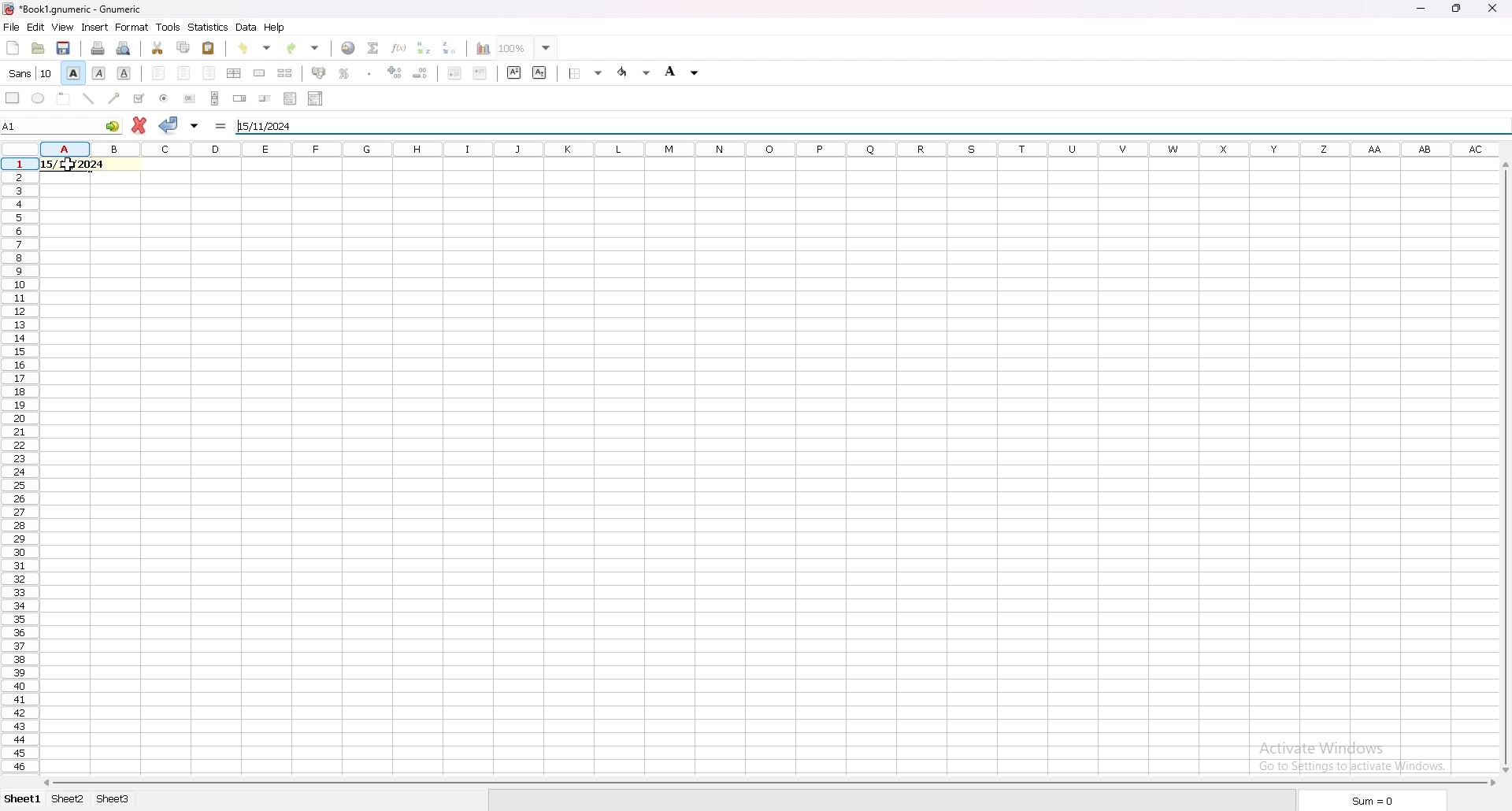 The width and height of the screenshot is (1512, 811). Describe the element at coordinates (1371, 800) in the screenshot. I see `sum` at that location.